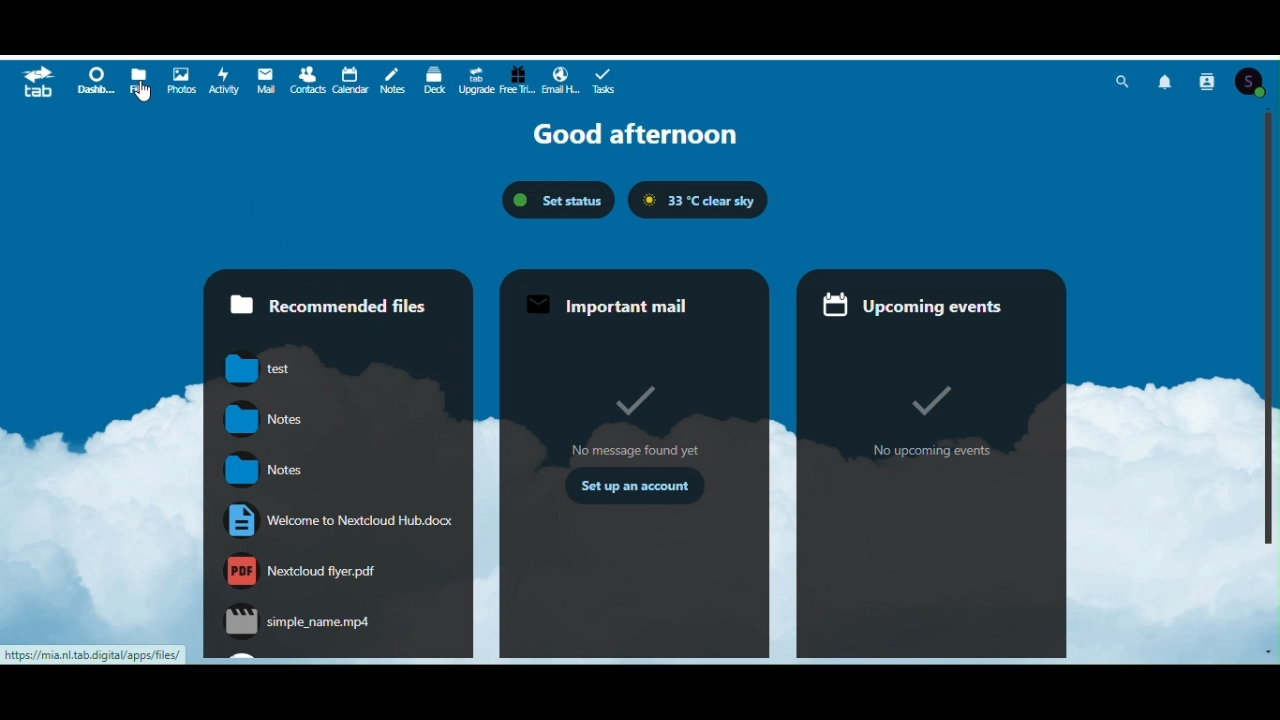 The image size is (1280, 720). I want to click on no message found yet, so click(632, 418).